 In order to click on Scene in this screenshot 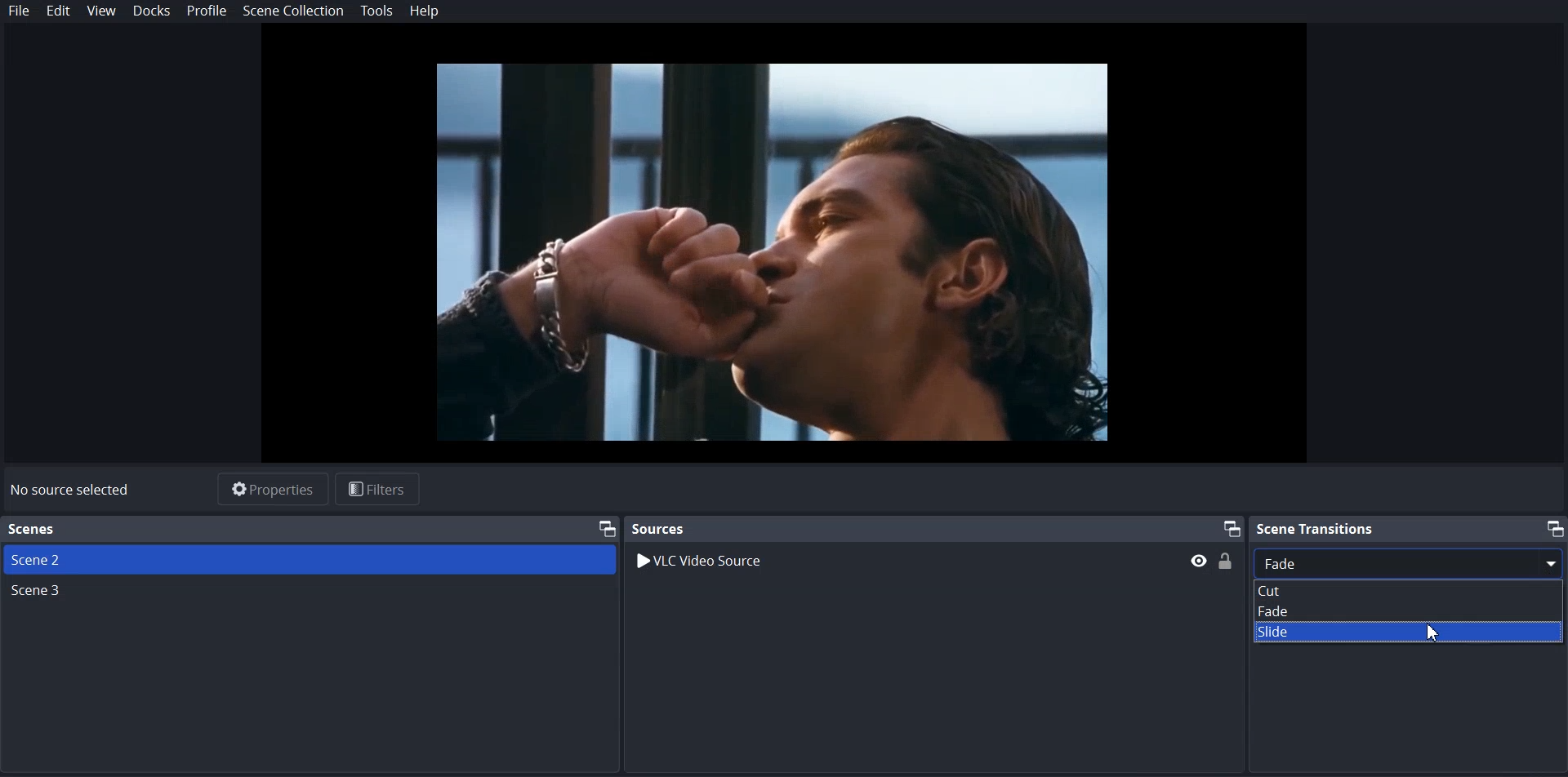, I will do `click(309, 559)`.